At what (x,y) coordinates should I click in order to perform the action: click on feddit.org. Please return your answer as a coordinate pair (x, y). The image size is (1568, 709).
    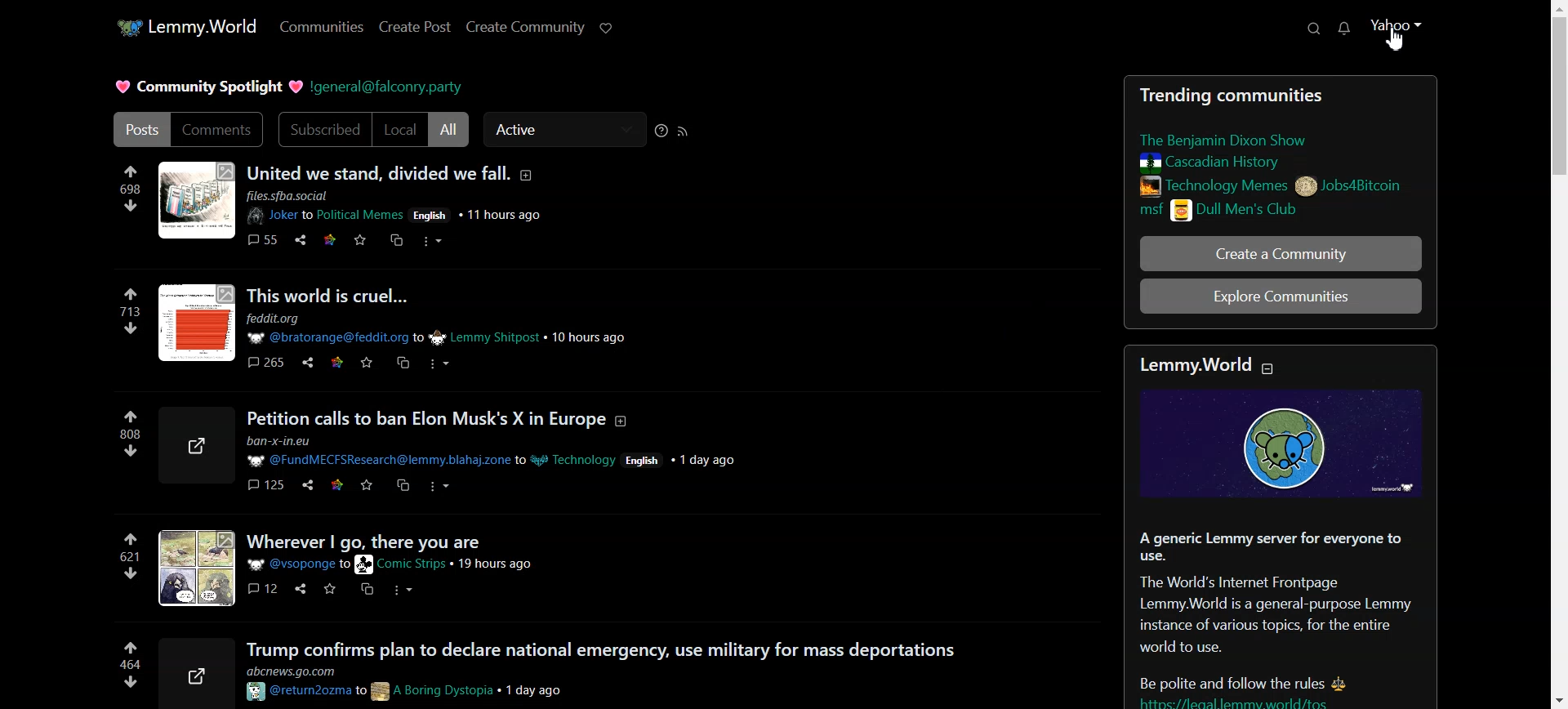
    Looking at the image, I should click on (278, 318).